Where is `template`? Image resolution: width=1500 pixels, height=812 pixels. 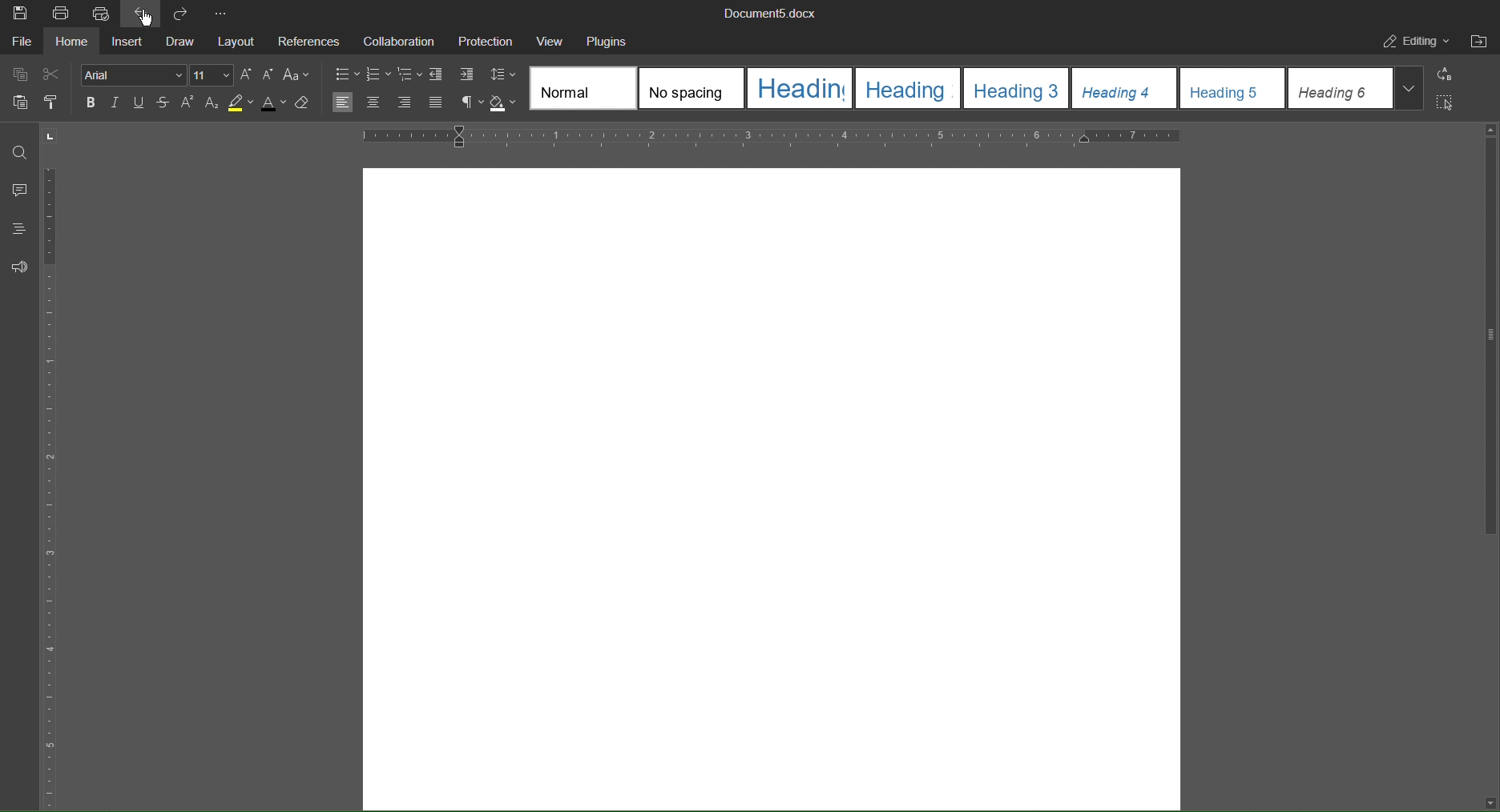 template is located at coordinates (1016, 88).